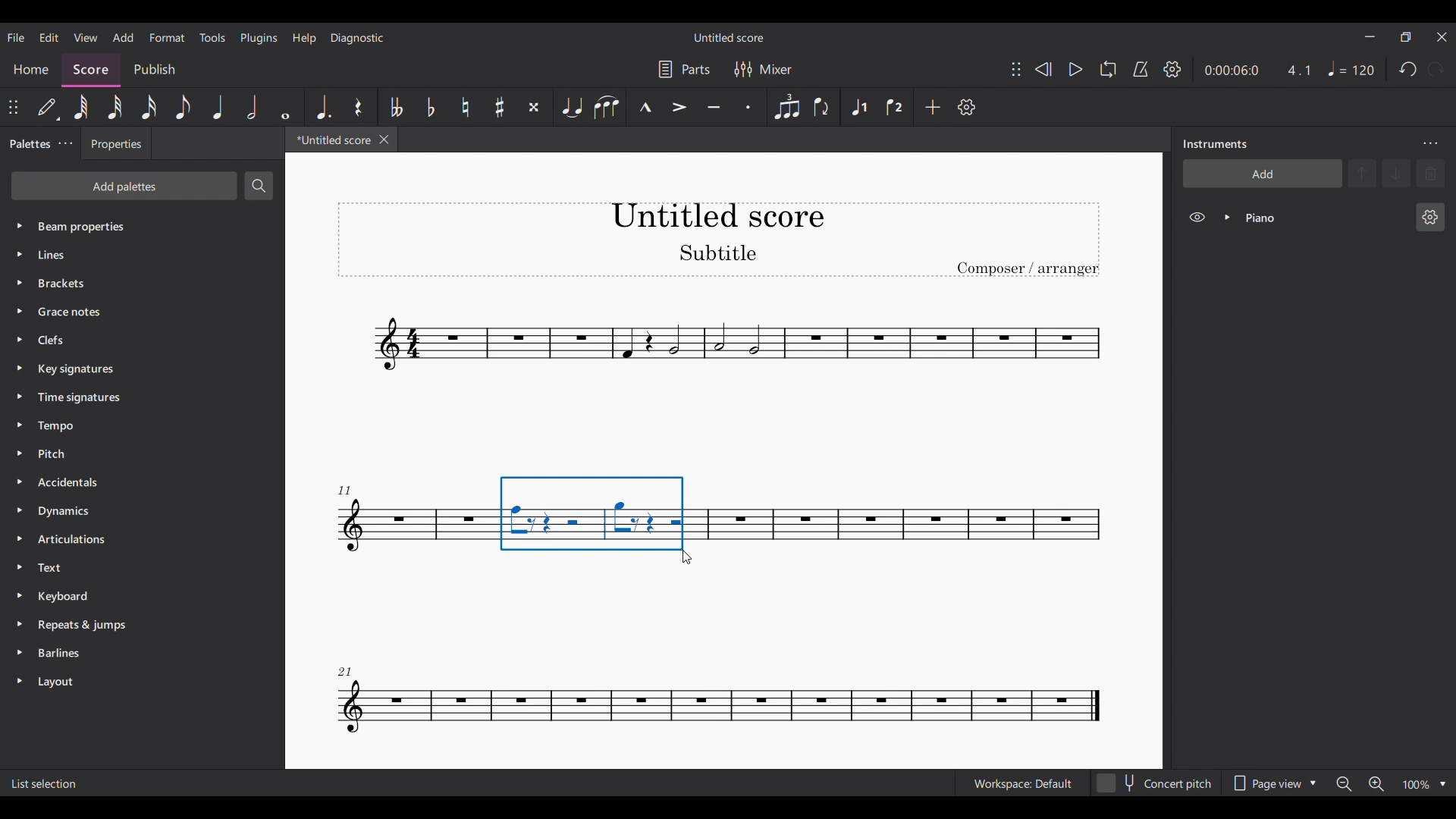  Describe the element at coordinates (764, 69) in the screenshot. I see `Mixer settings` at that location.